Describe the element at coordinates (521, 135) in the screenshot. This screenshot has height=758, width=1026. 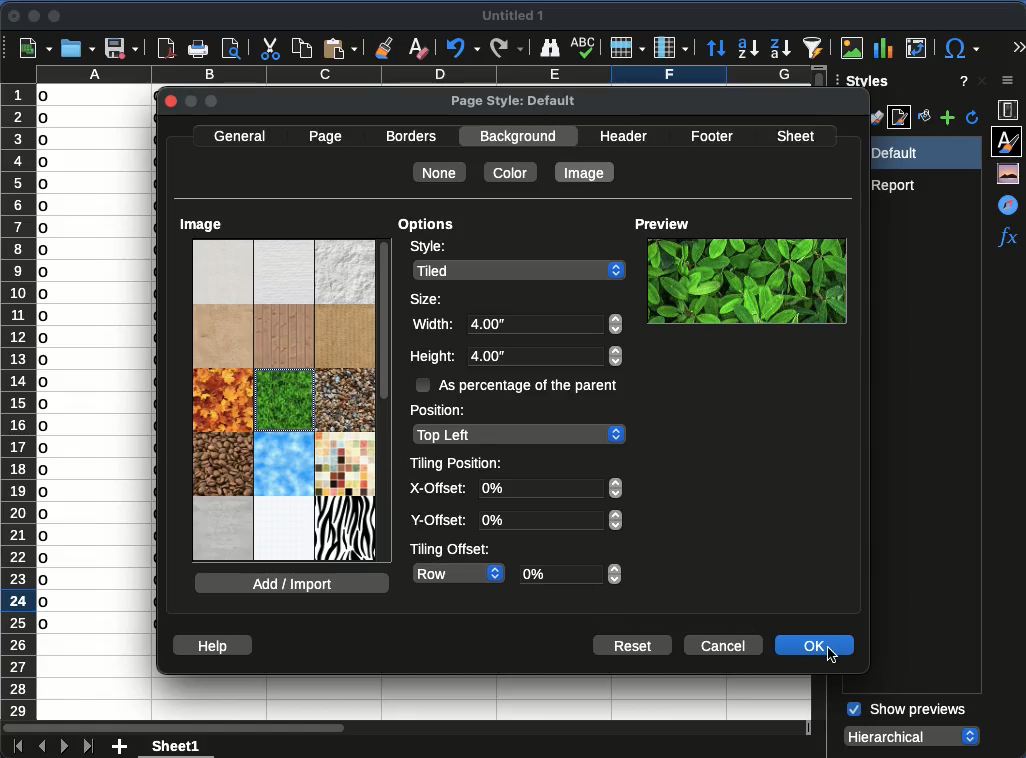
I see `background` at that location.